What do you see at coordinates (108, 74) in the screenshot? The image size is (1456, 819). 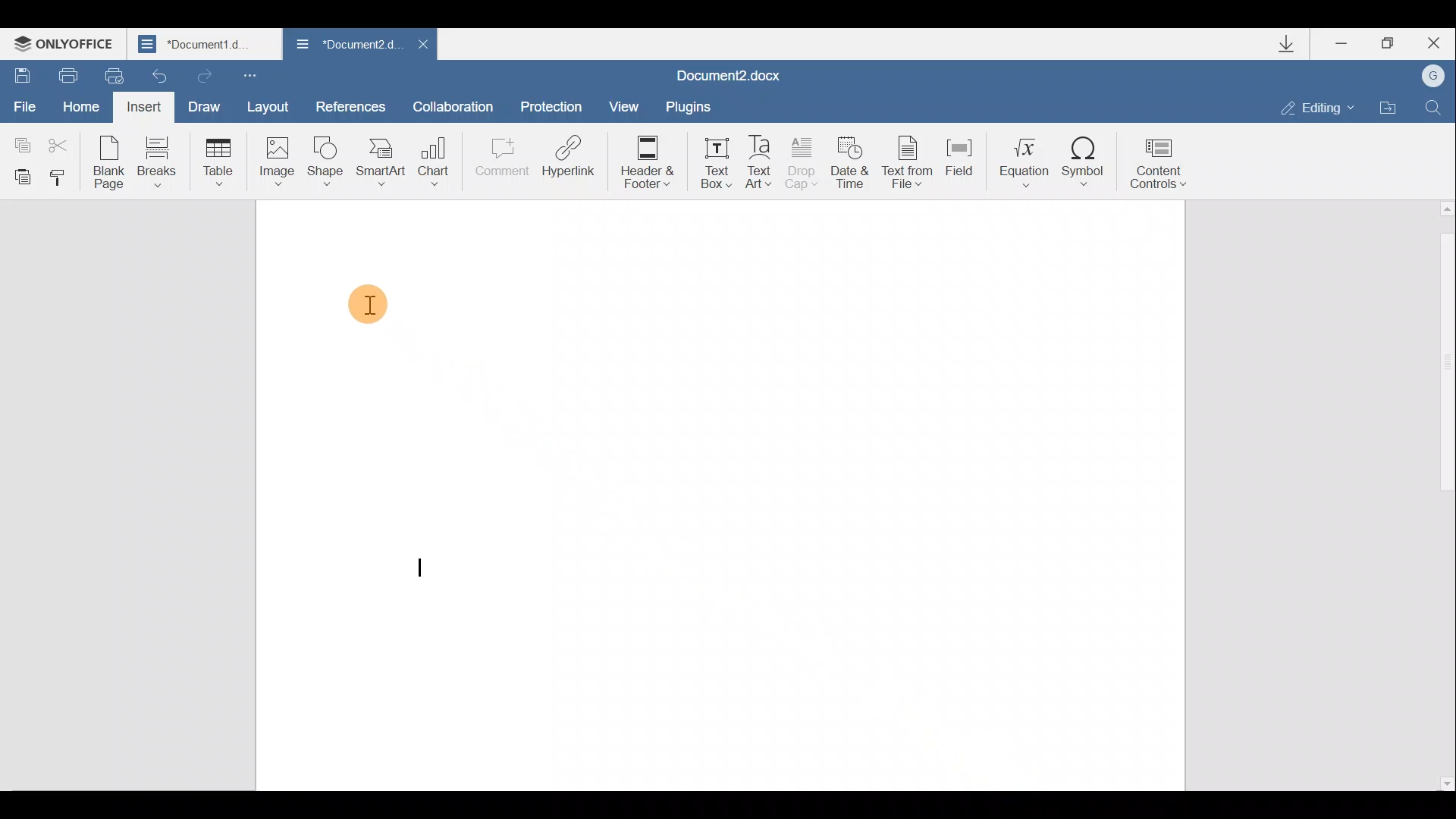 I see `Quick print` at bounding box center [108, 74].